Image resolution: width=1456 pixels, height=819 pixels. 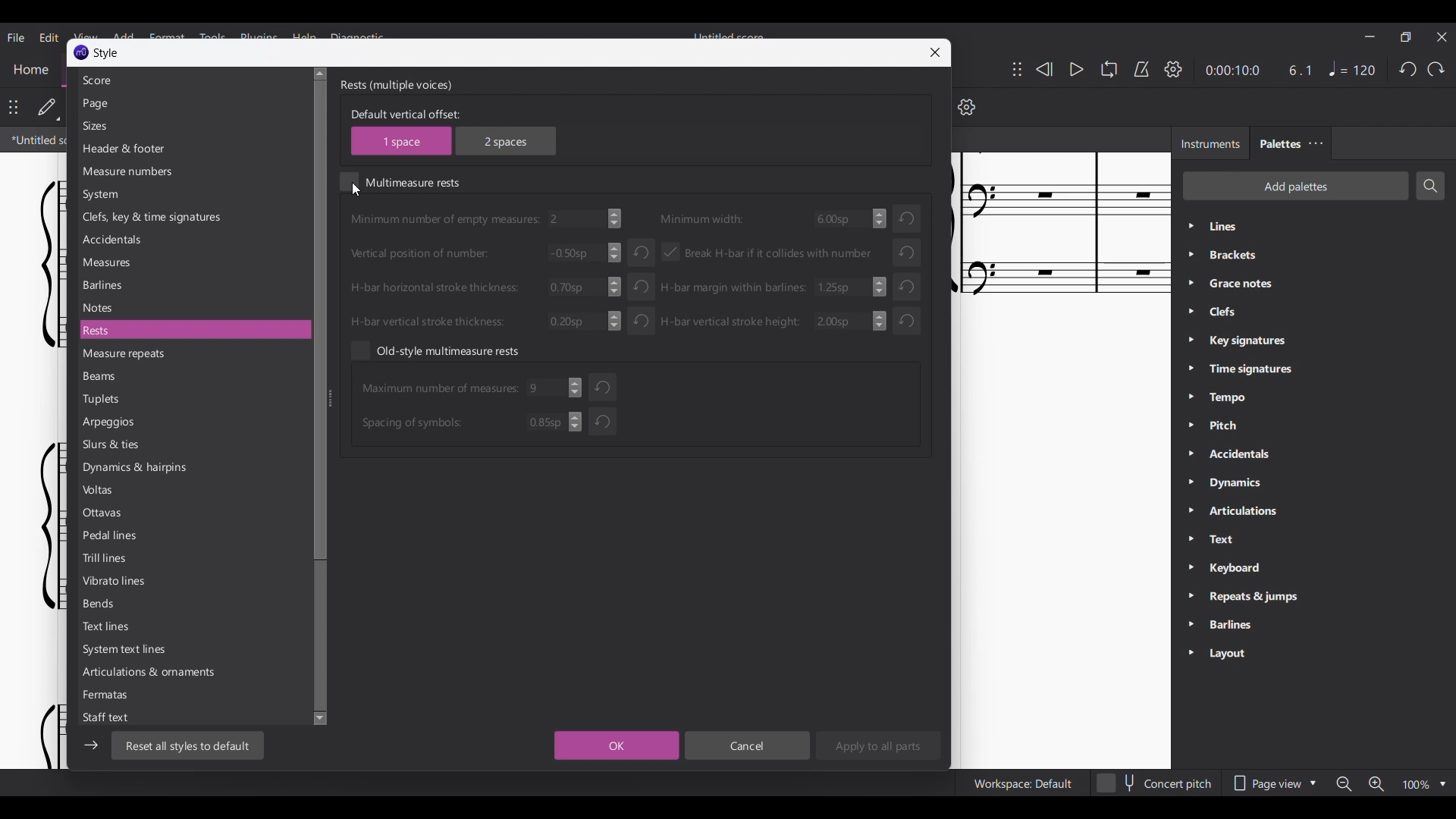 I want to click on Text lines, so click(x=193, y=626).